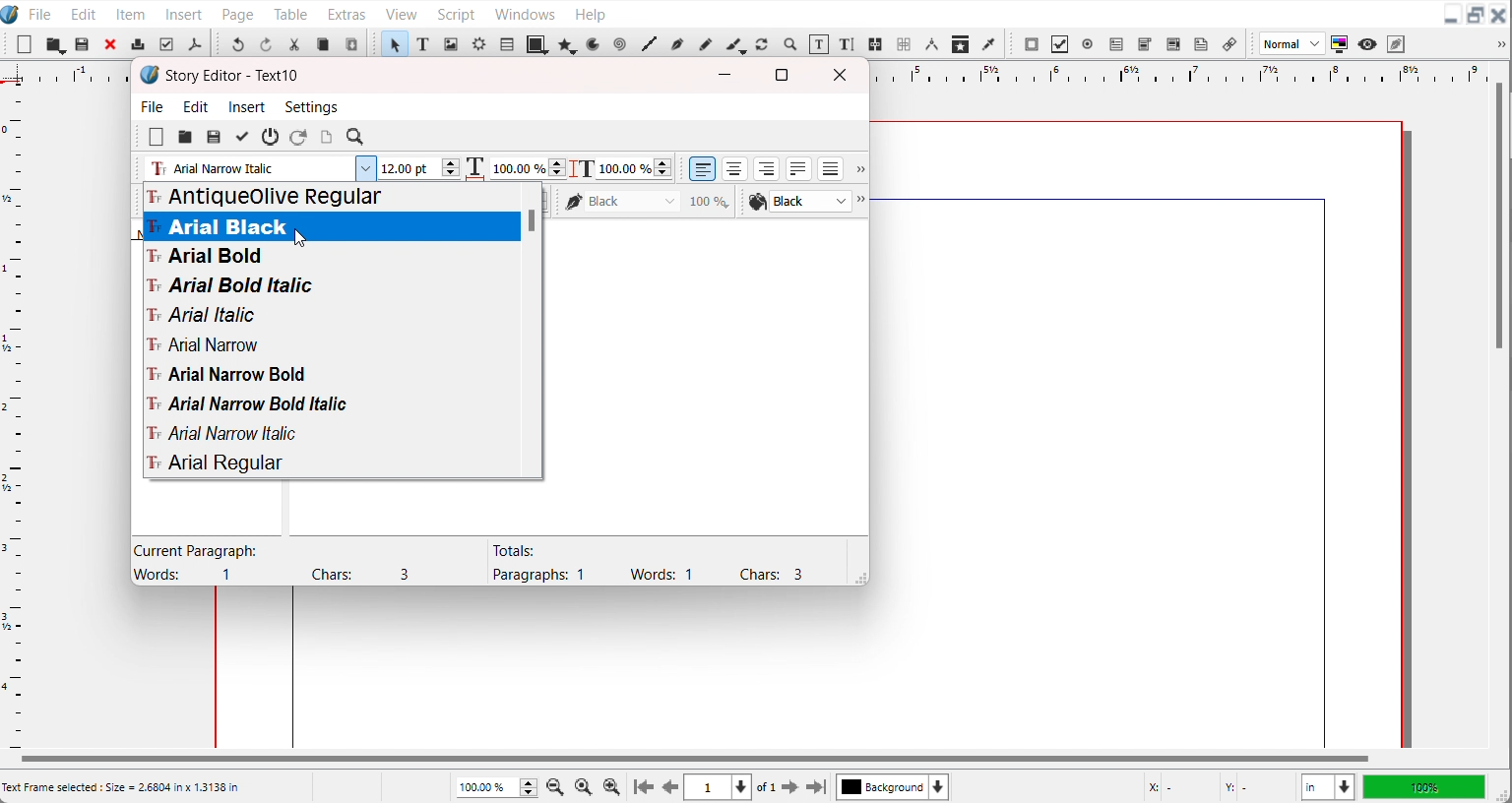 This screenshot has height=803, width=1512. I want to click on Horizontal scale, so click(1173, 73).